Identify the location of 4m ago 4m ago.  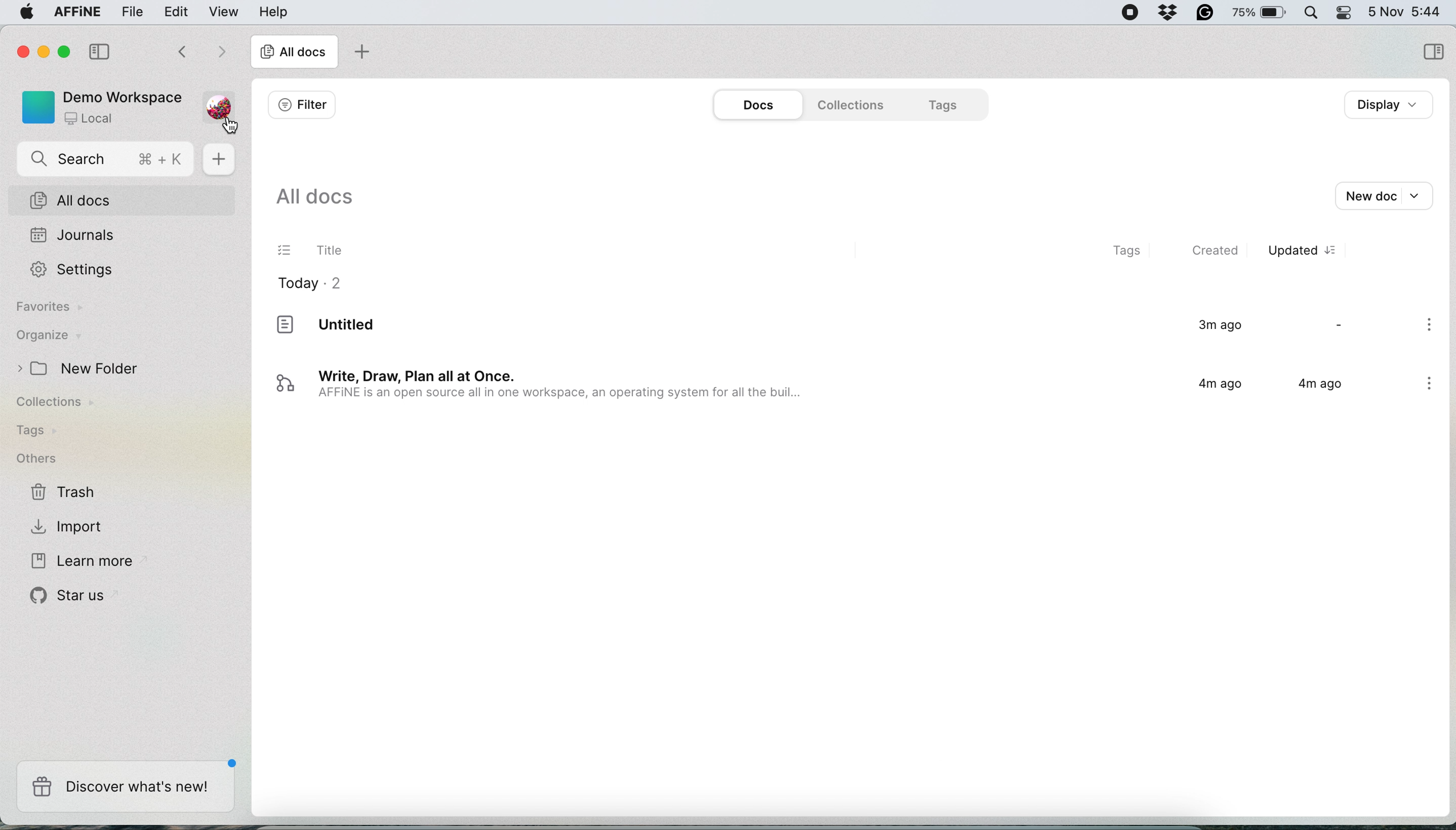
(1265, 389).